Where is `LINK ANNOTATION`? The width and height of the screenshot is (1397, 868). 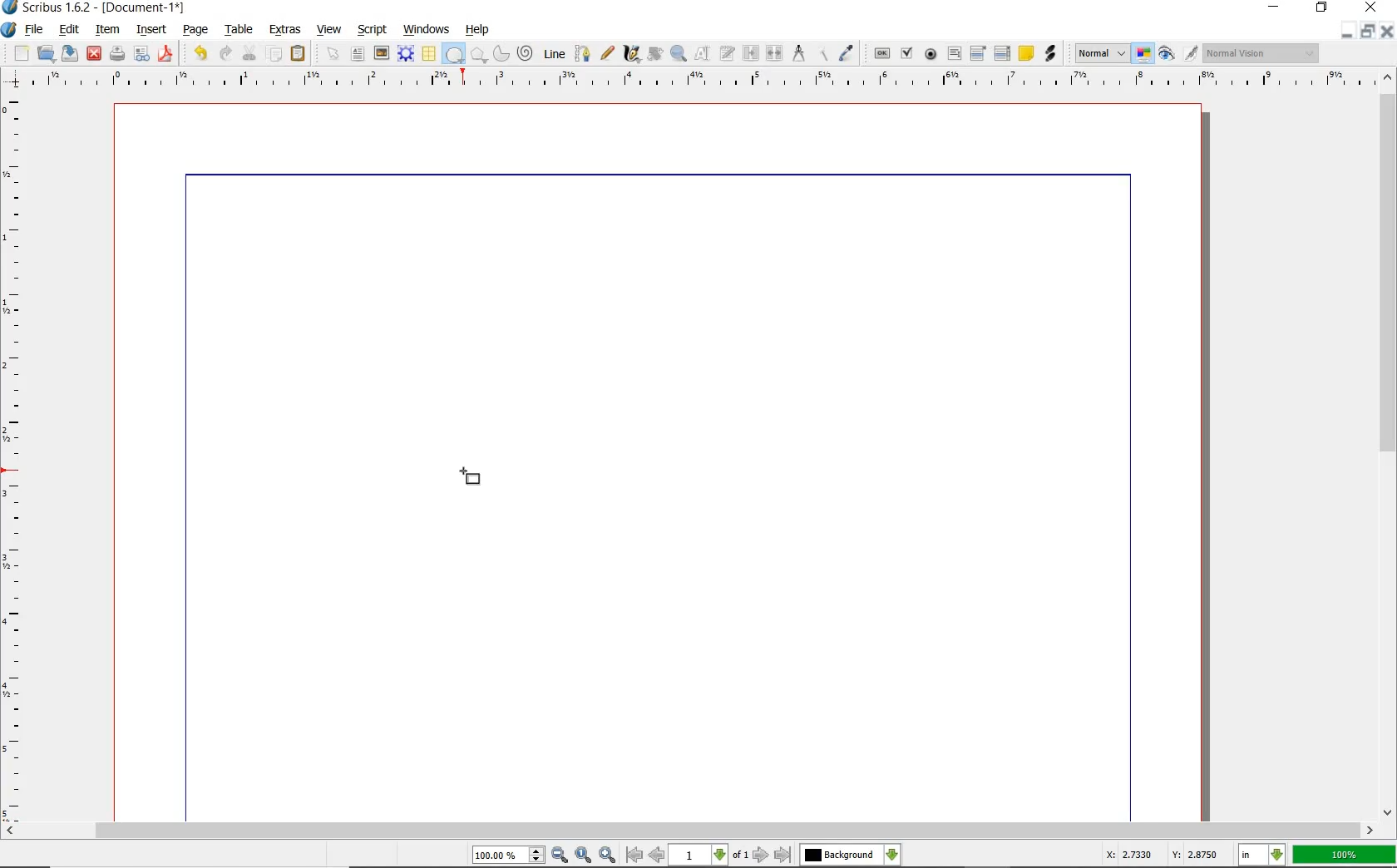 LINK ANNOTATION is located at coordinates (1051, 54).